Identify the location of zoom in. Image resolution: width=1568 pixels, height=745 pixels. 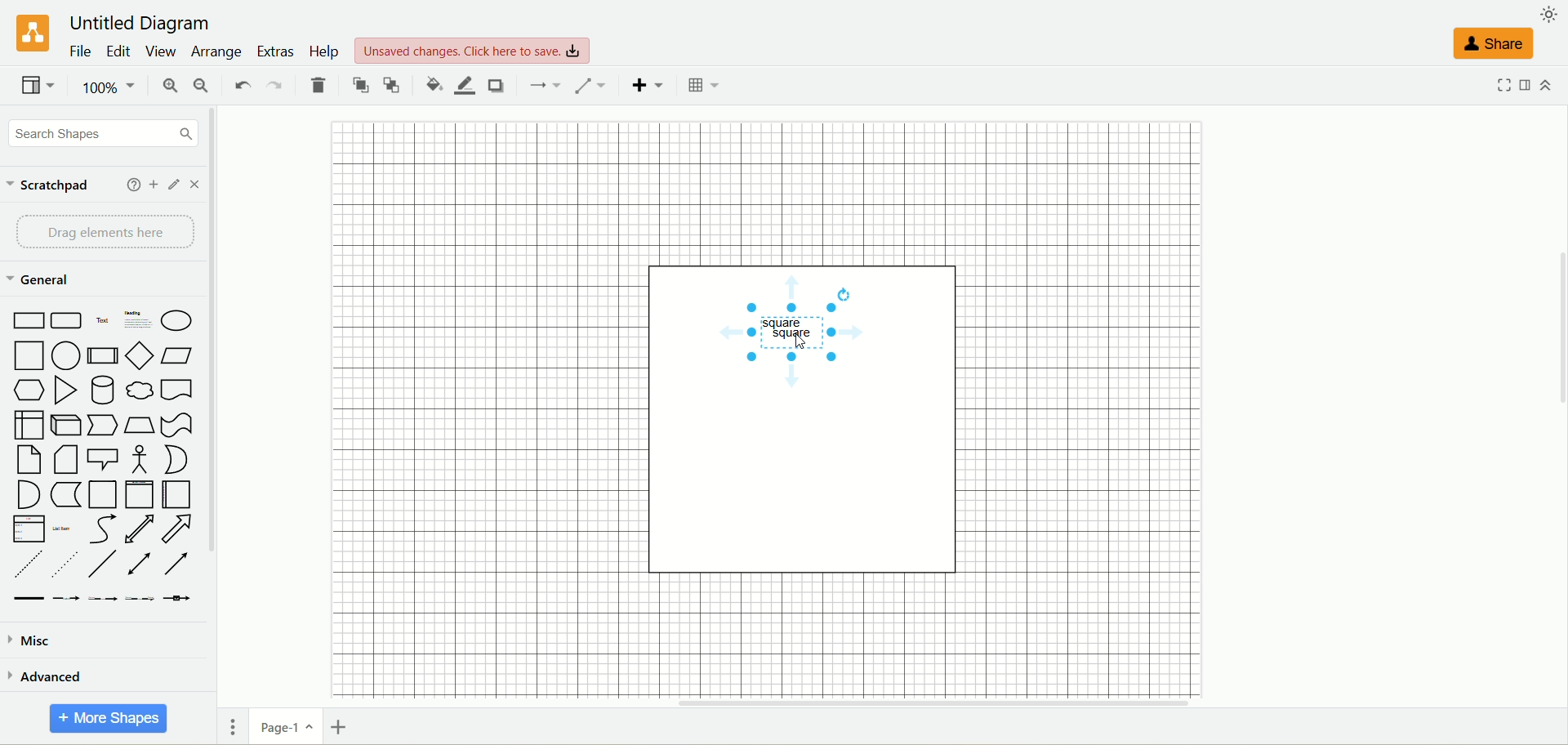
(168, 85).